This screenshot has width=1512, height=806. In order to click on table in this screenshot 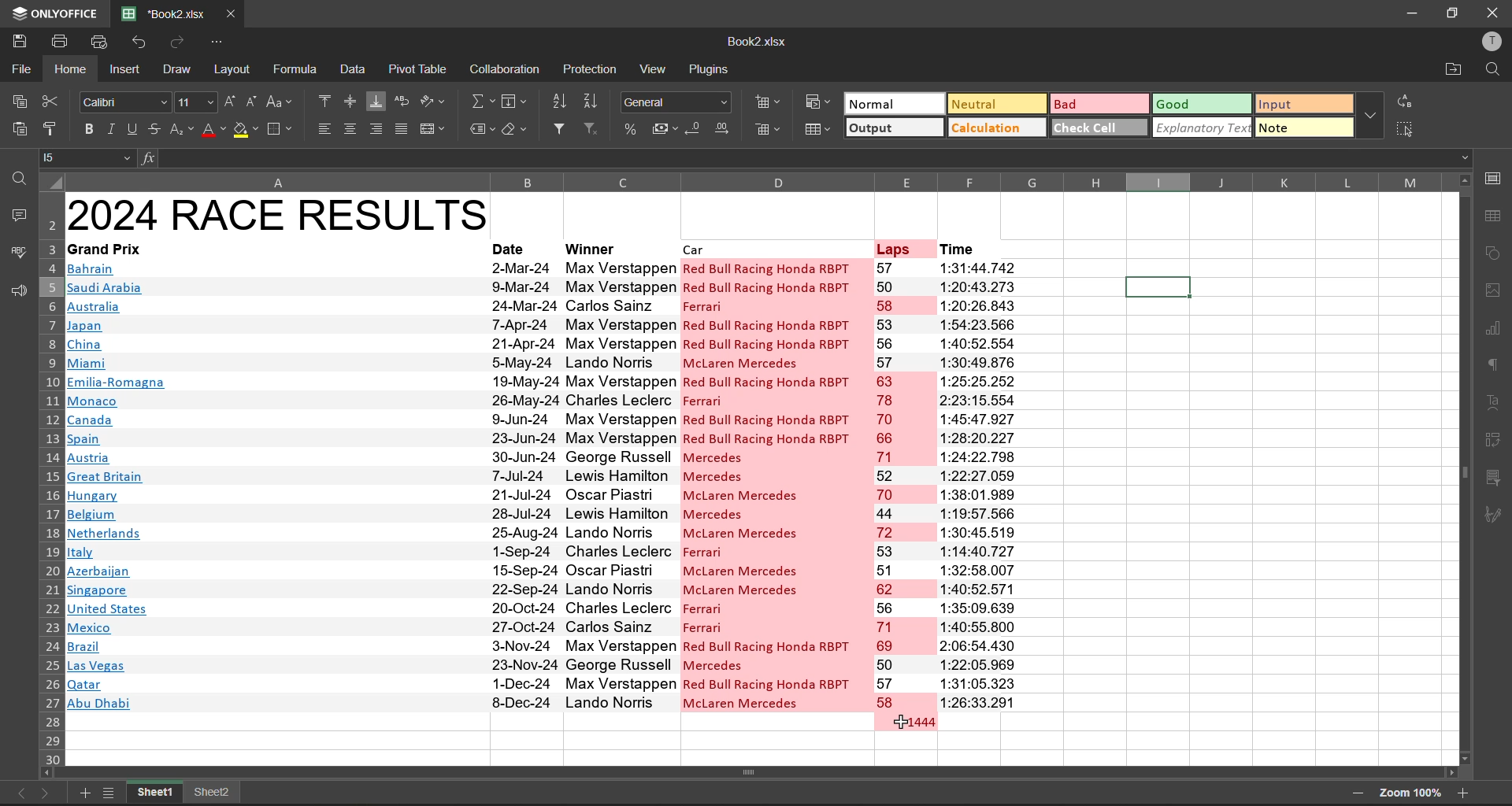, I will do `click(1494, 216)`.